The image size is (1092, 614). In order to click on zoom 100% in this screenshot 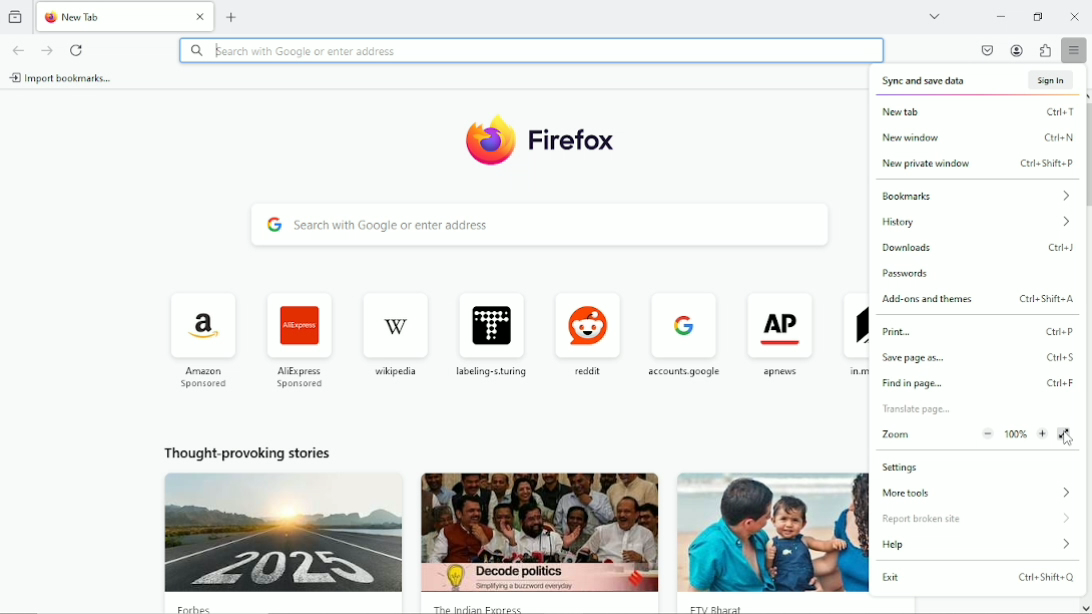, I will do `click(965, 437)`.